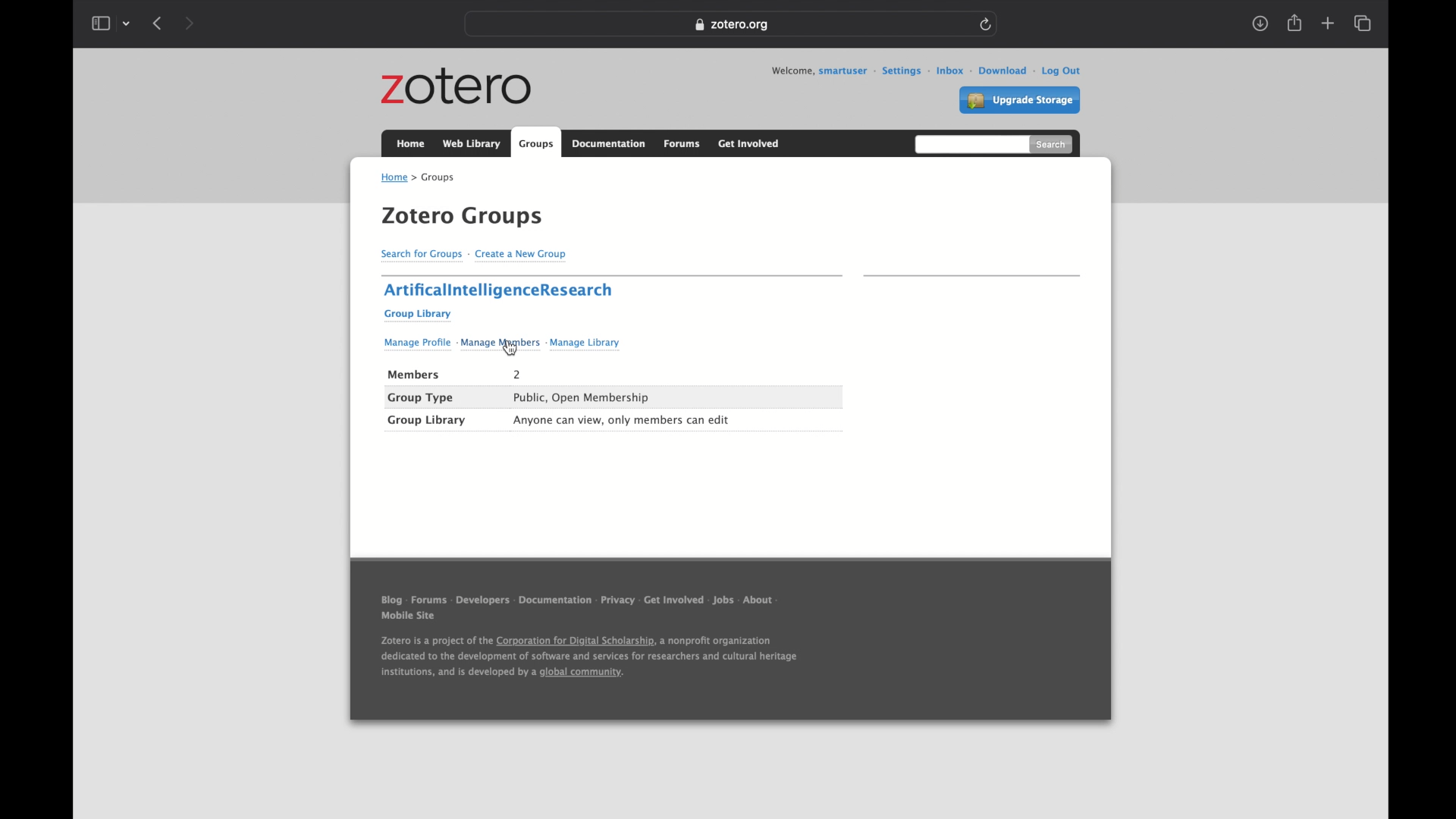 This screenshot has height=819, width=1456. Describe the element at coordinates (1020, 101) in the screenshot. I see `upgrade  storage` at that location.